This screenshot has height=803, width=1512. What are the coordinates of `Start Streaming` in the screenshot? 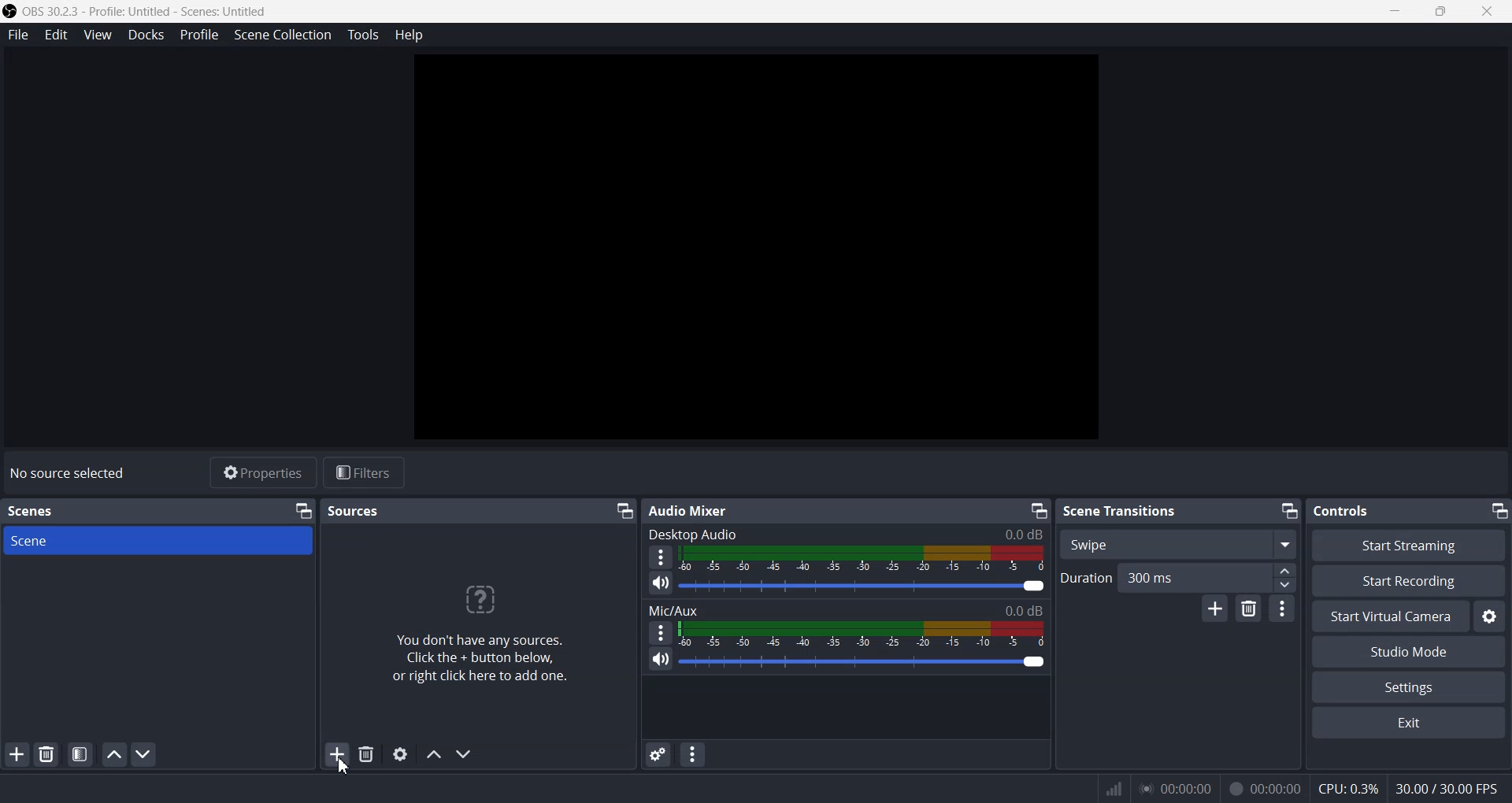 It's located at (1411, 545).